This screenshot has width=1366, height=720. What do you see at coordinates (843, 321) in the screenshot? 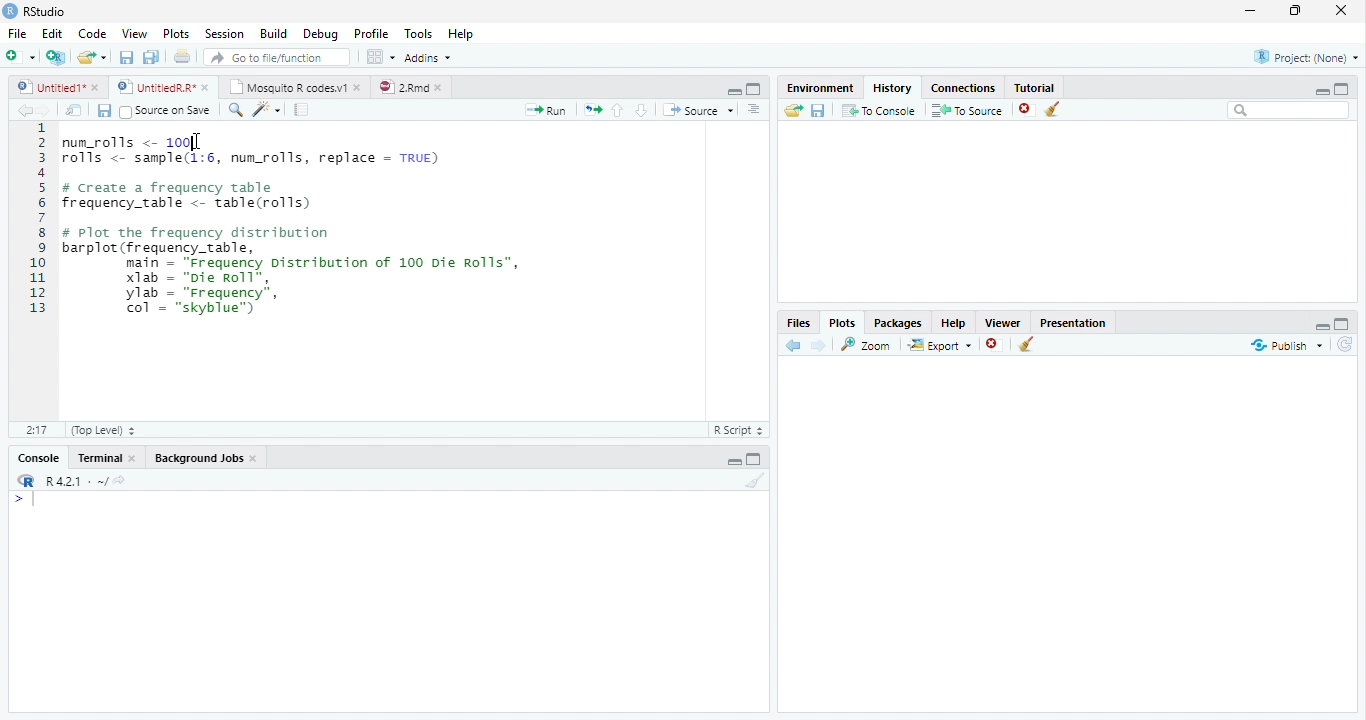
I see `Plots` at bounding box center [843, 321].